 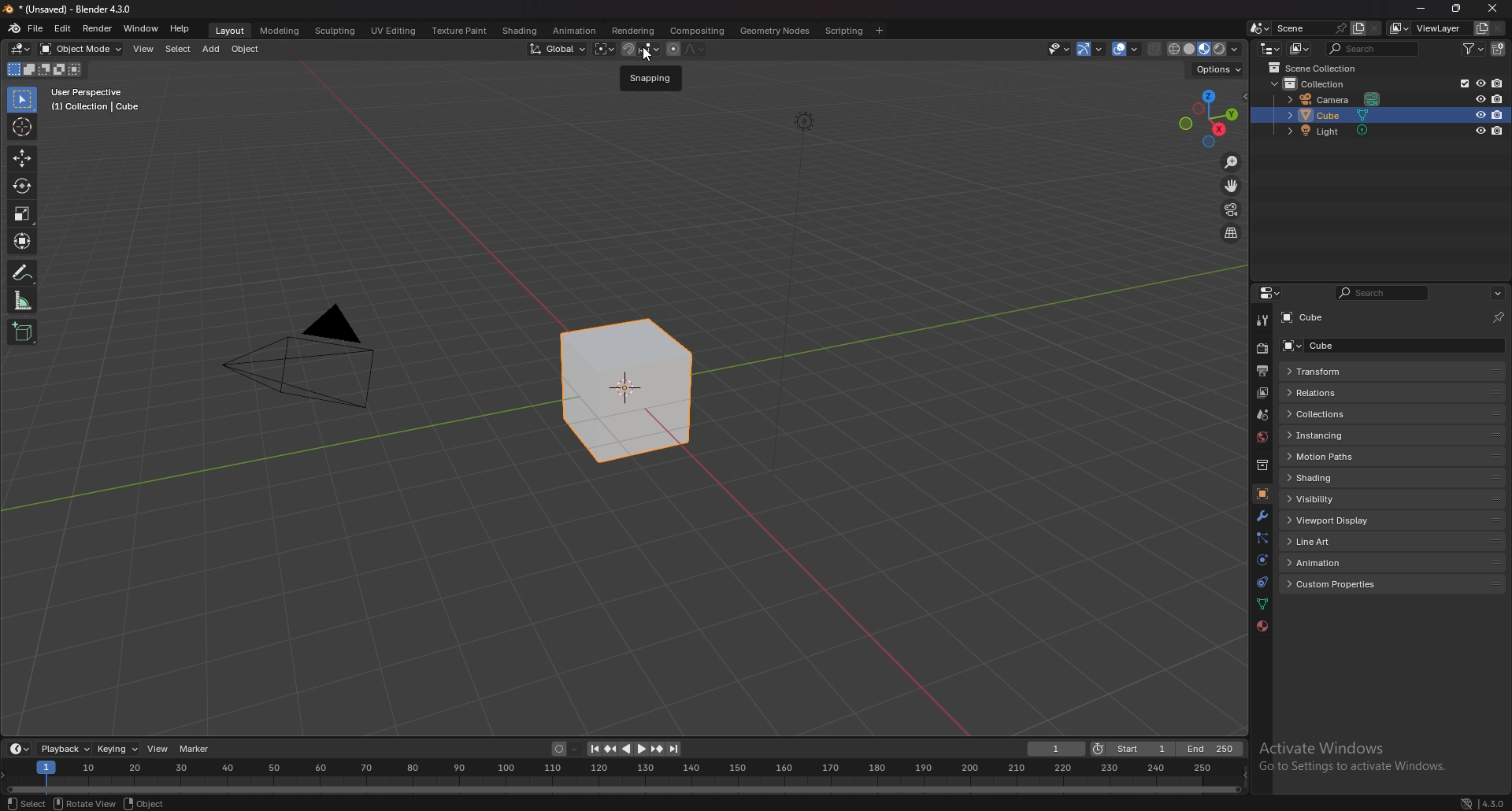 What do you see at coordinates (622, 776) in the screenshot?
I see `seek` at bounding box center [622, 776].